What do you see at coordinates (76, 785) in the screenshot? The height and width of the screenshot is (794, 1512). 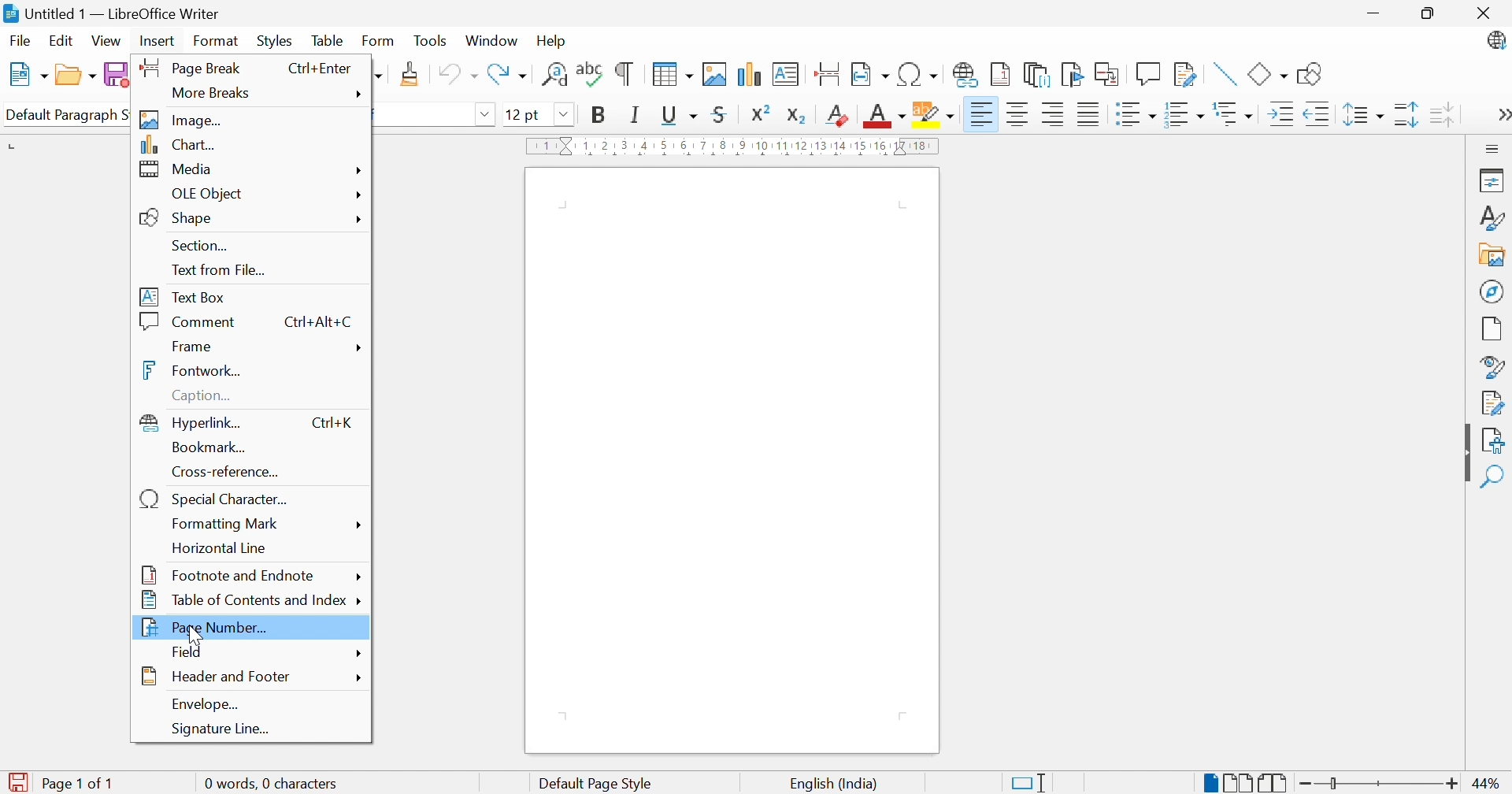 I see `Page 1 of 1` at bounding box center [76, 785].